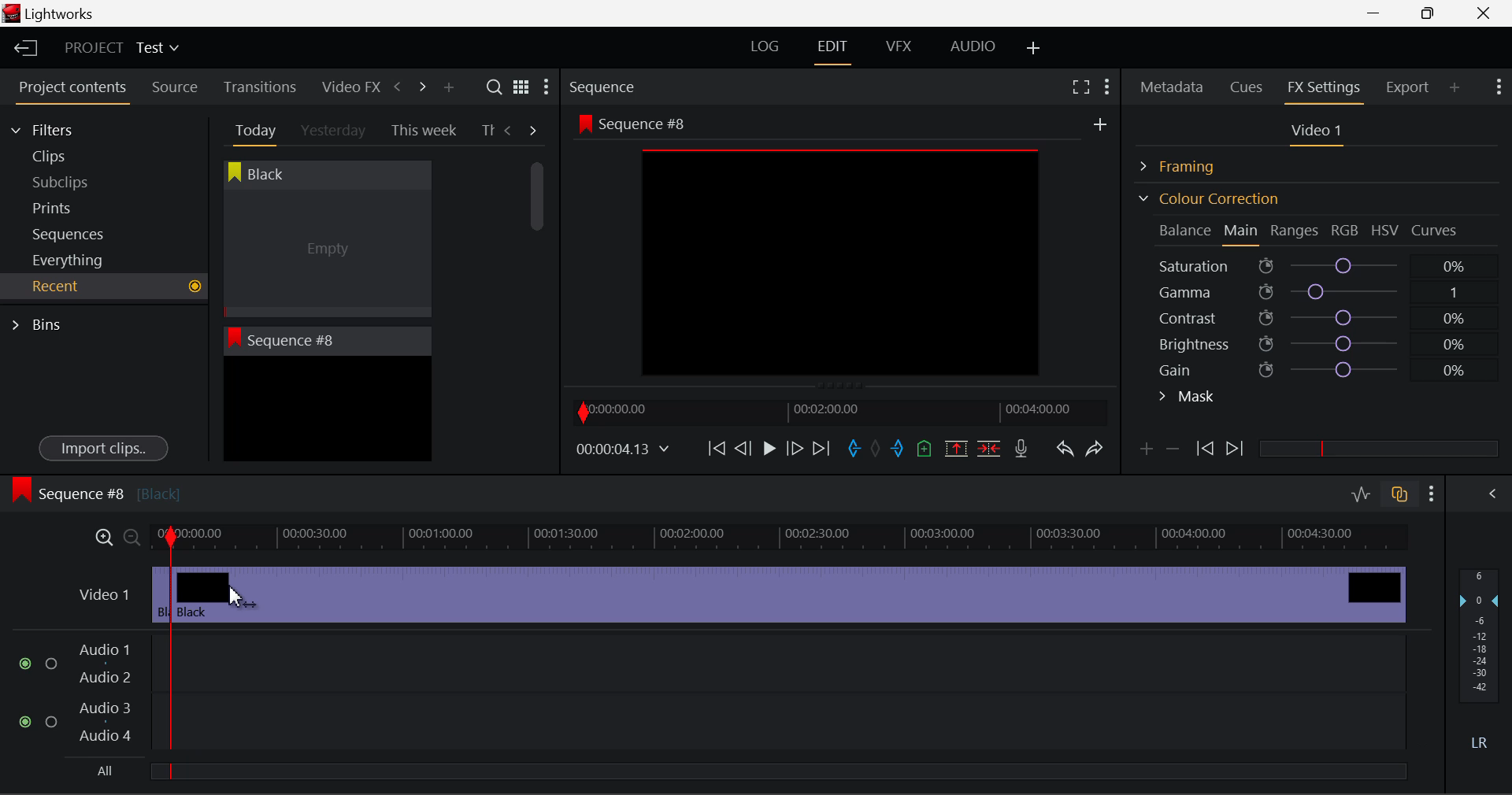 This screenshot has height=795, width=1512. Describe the element at coordinates (624, 450) in the screenshot. I see `Frame Time` at that location.